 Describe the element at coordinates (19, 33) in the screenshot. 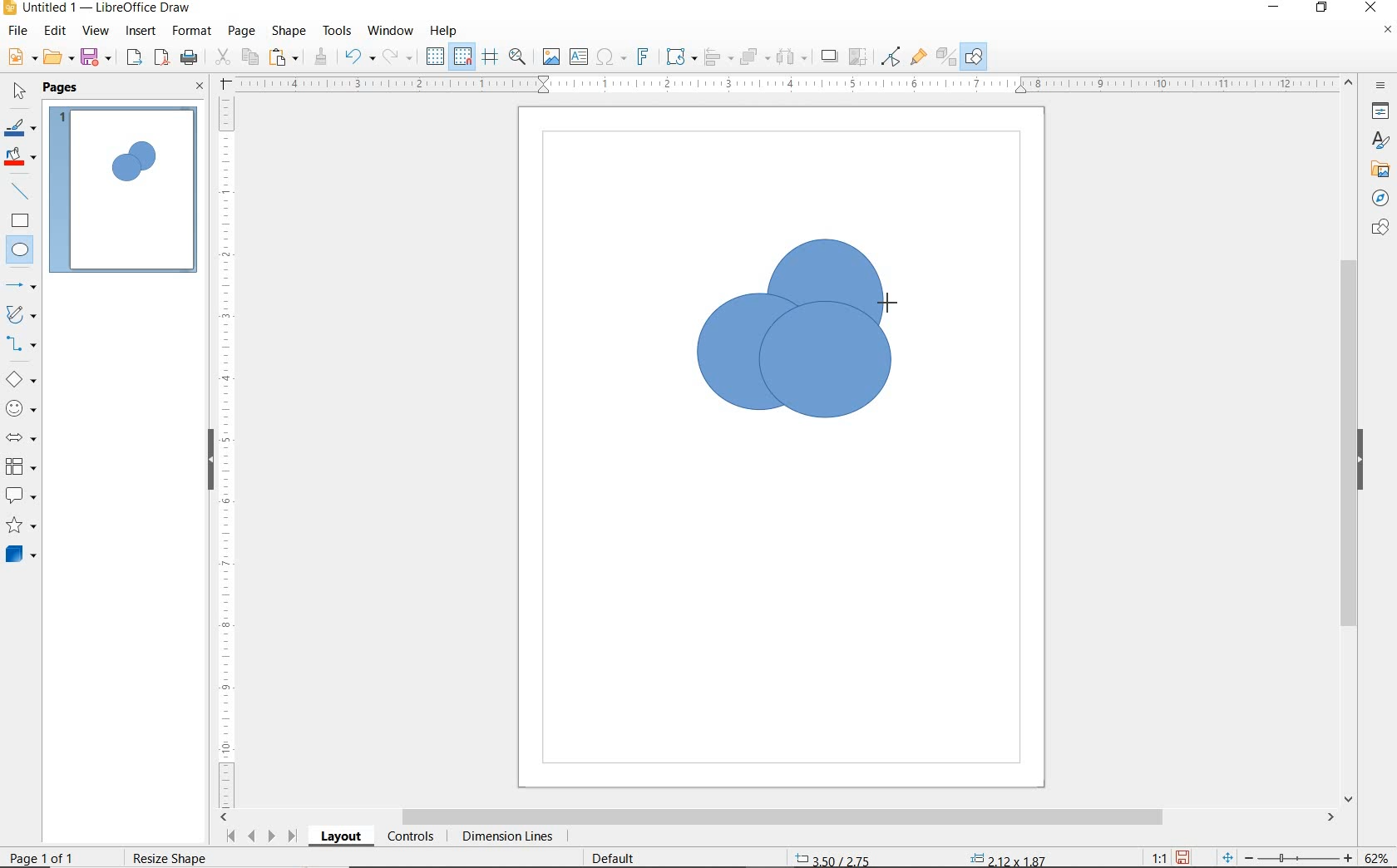

I see `FILE` at that location.